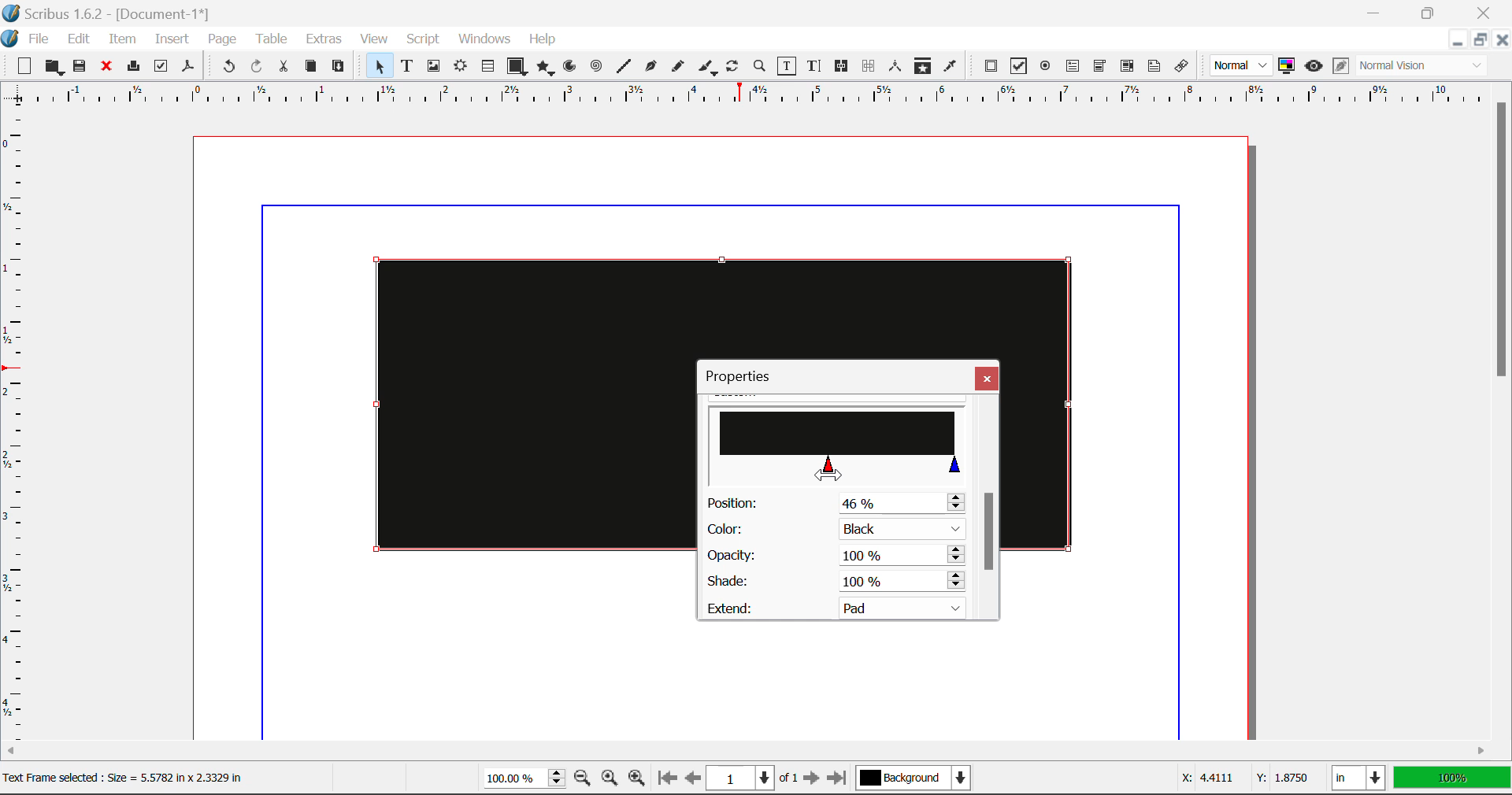 This screenshot has width=1512, height=795. I want to click on Tables, so click(487, 68).